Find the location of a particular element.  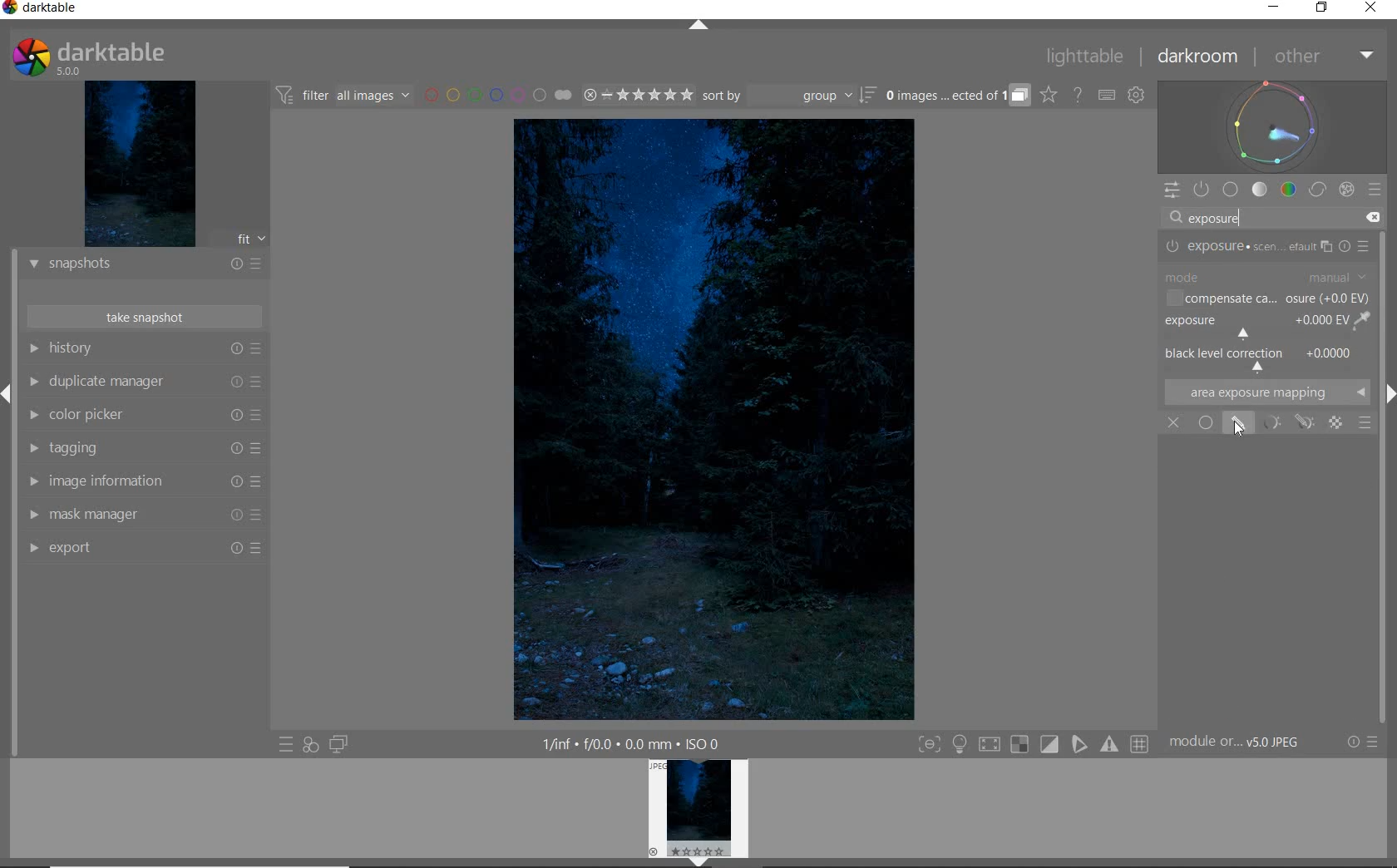

EFFECT is located at coordinates (1347, 190).